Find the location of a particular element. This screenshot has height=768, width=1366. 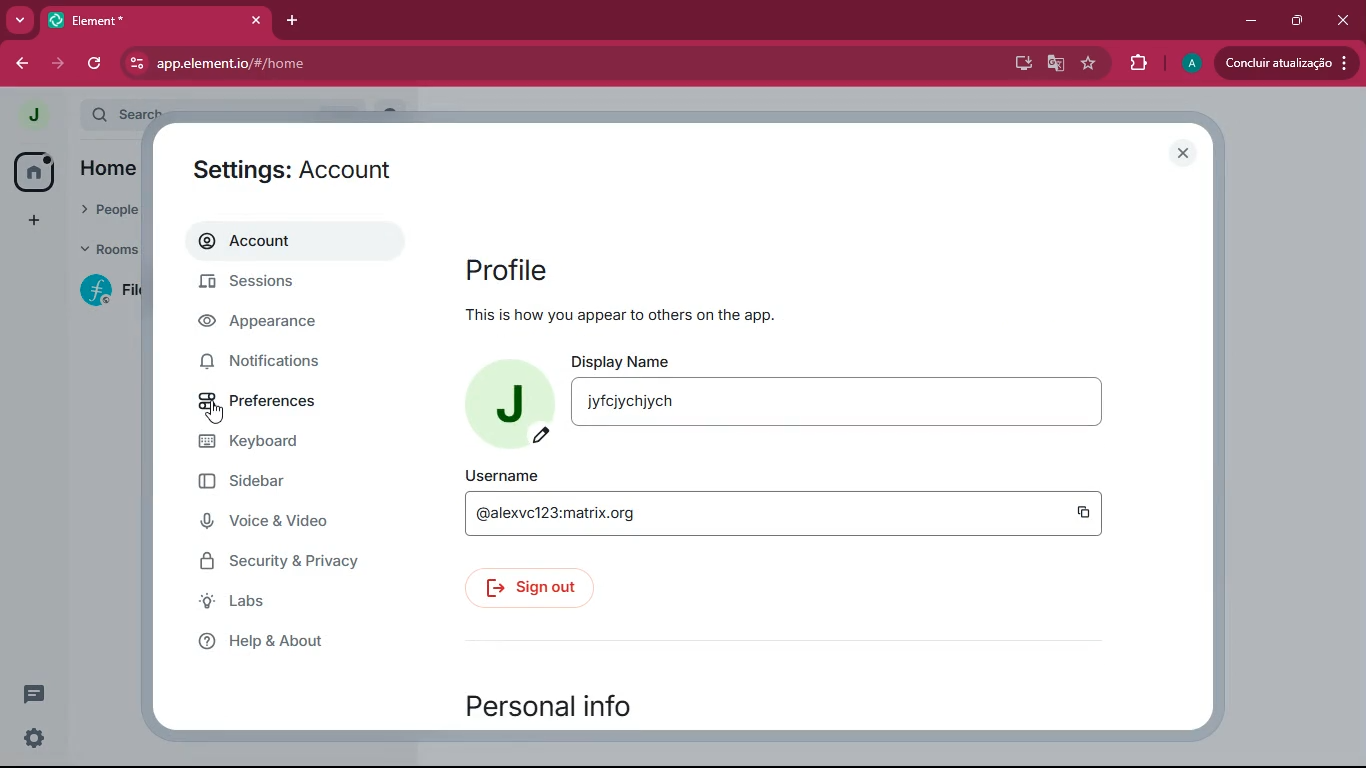

display name is located at coordinates (621, 362).